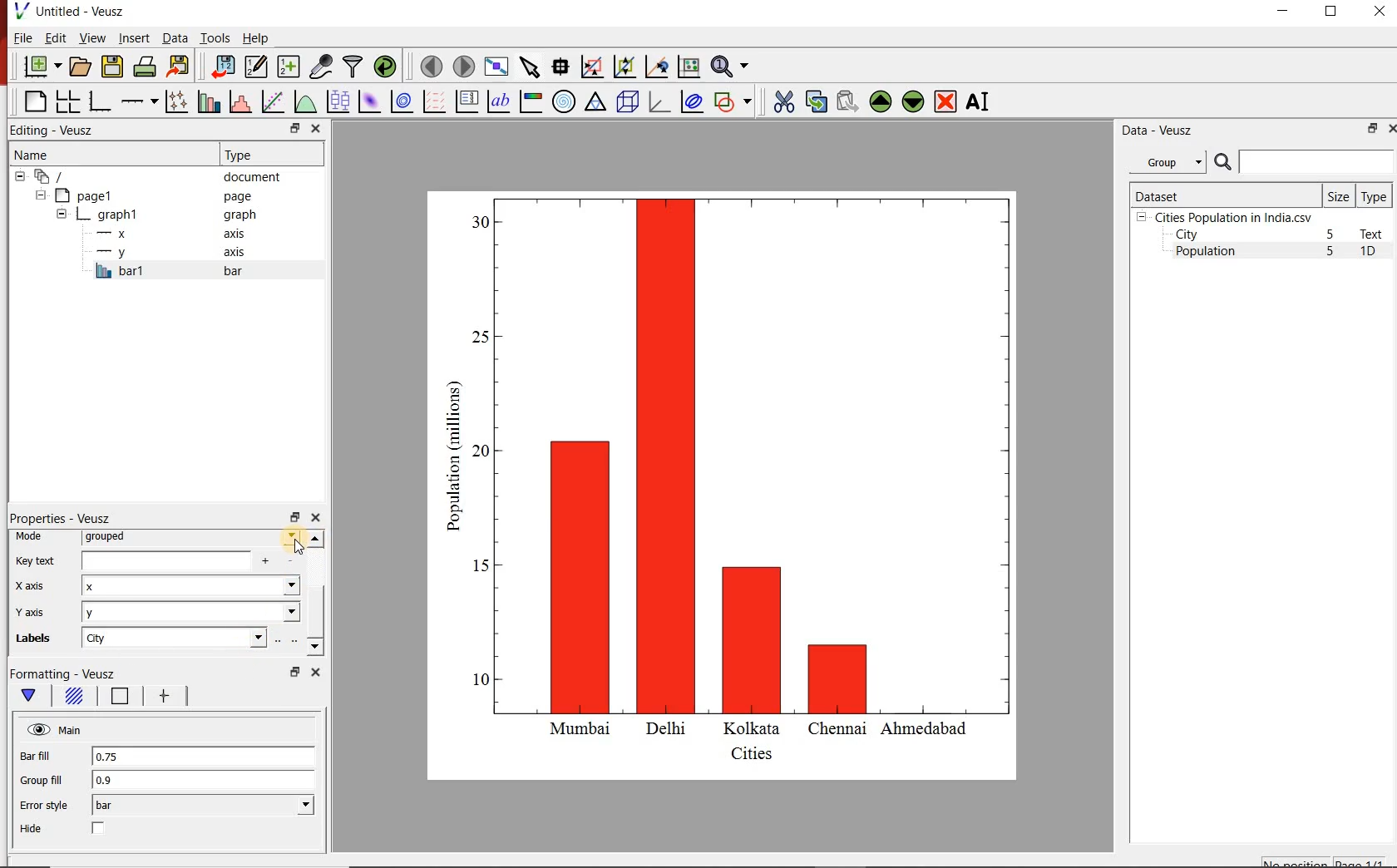 This screenshot has width=1397, height=868. I want to click on plot bar charts, so click(206, 101).